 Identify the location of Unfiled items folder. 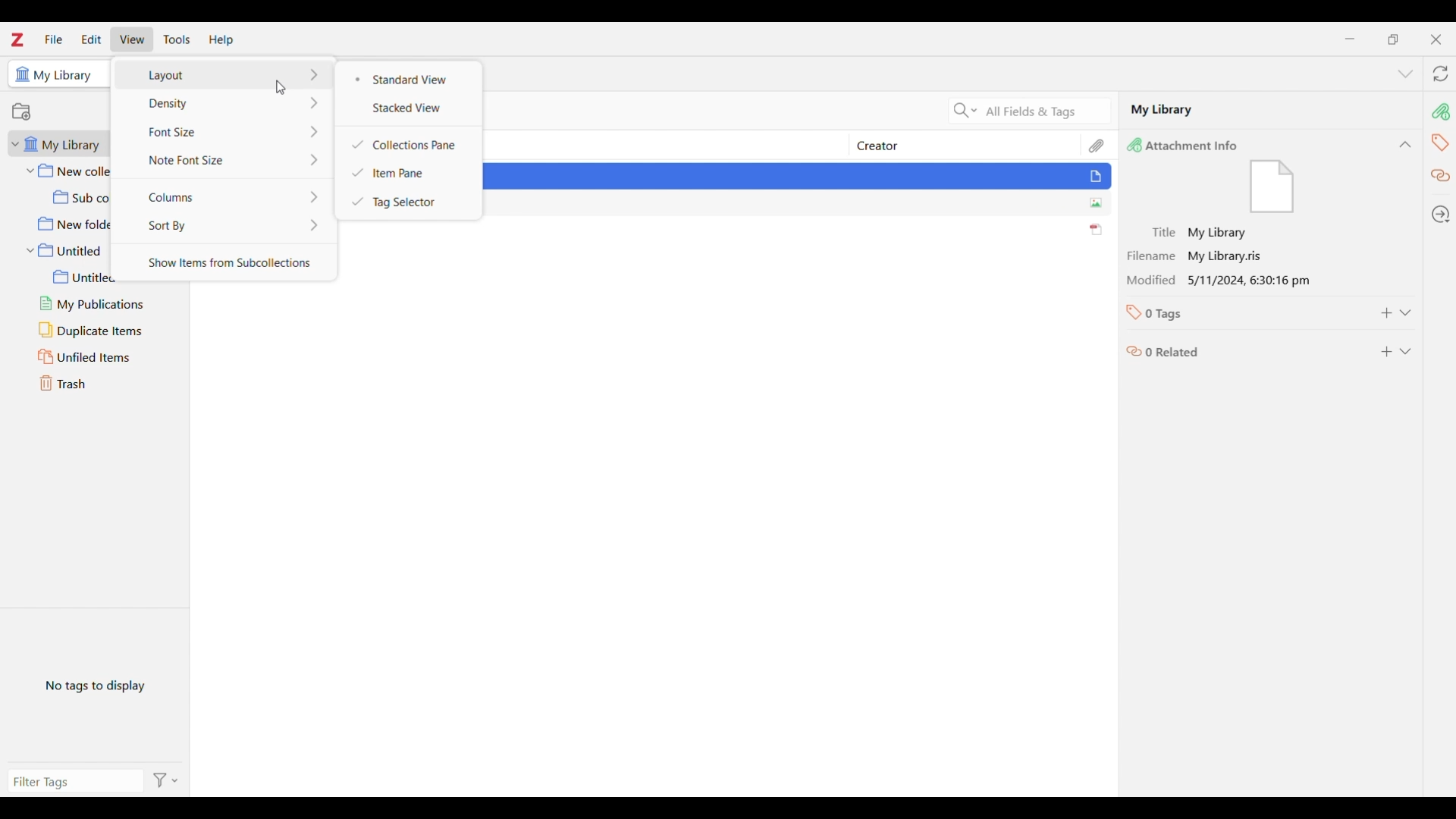
(99, 356).